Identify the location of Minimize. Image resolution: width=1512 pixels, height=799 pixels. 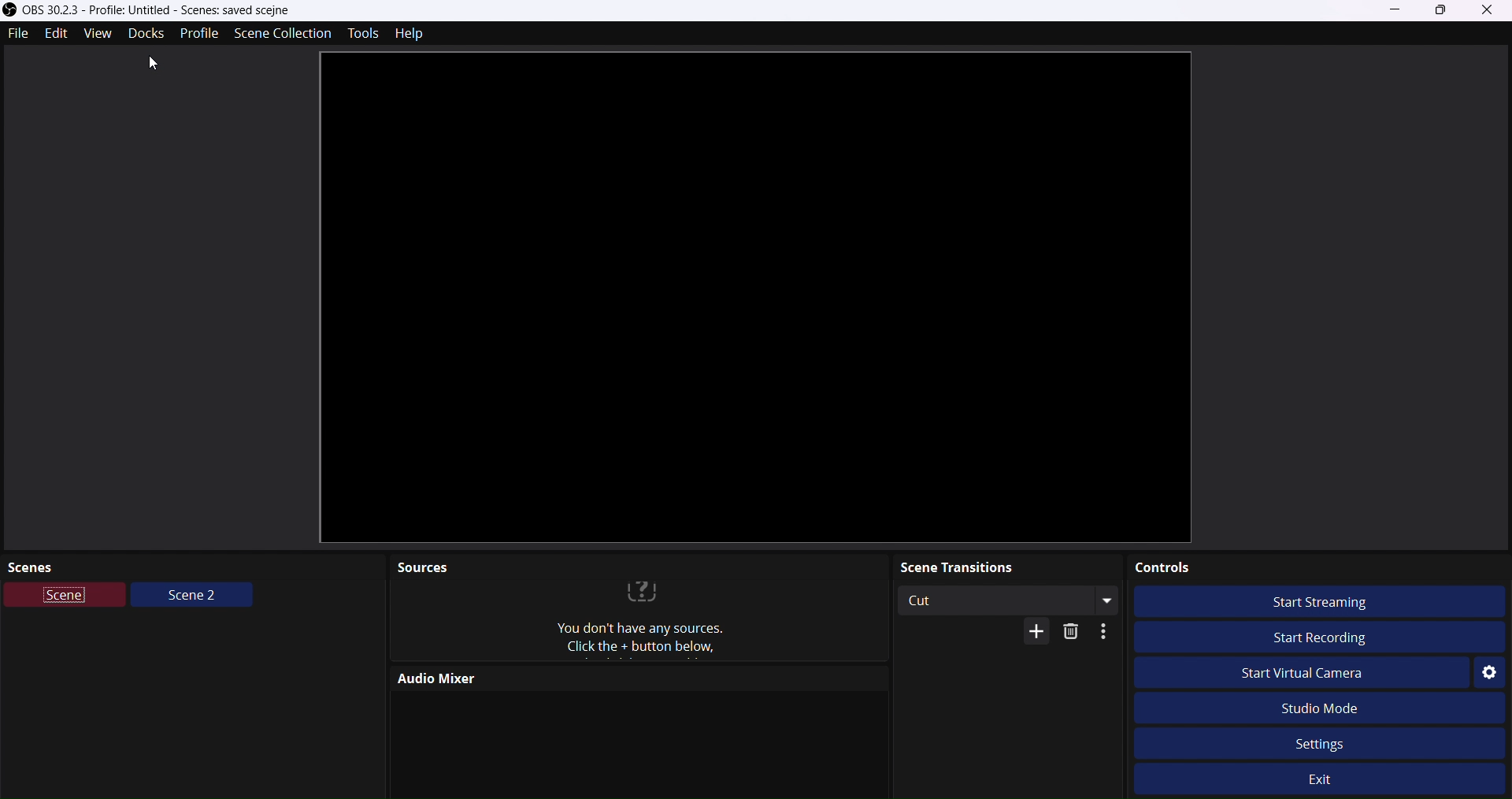
(1396, 9).